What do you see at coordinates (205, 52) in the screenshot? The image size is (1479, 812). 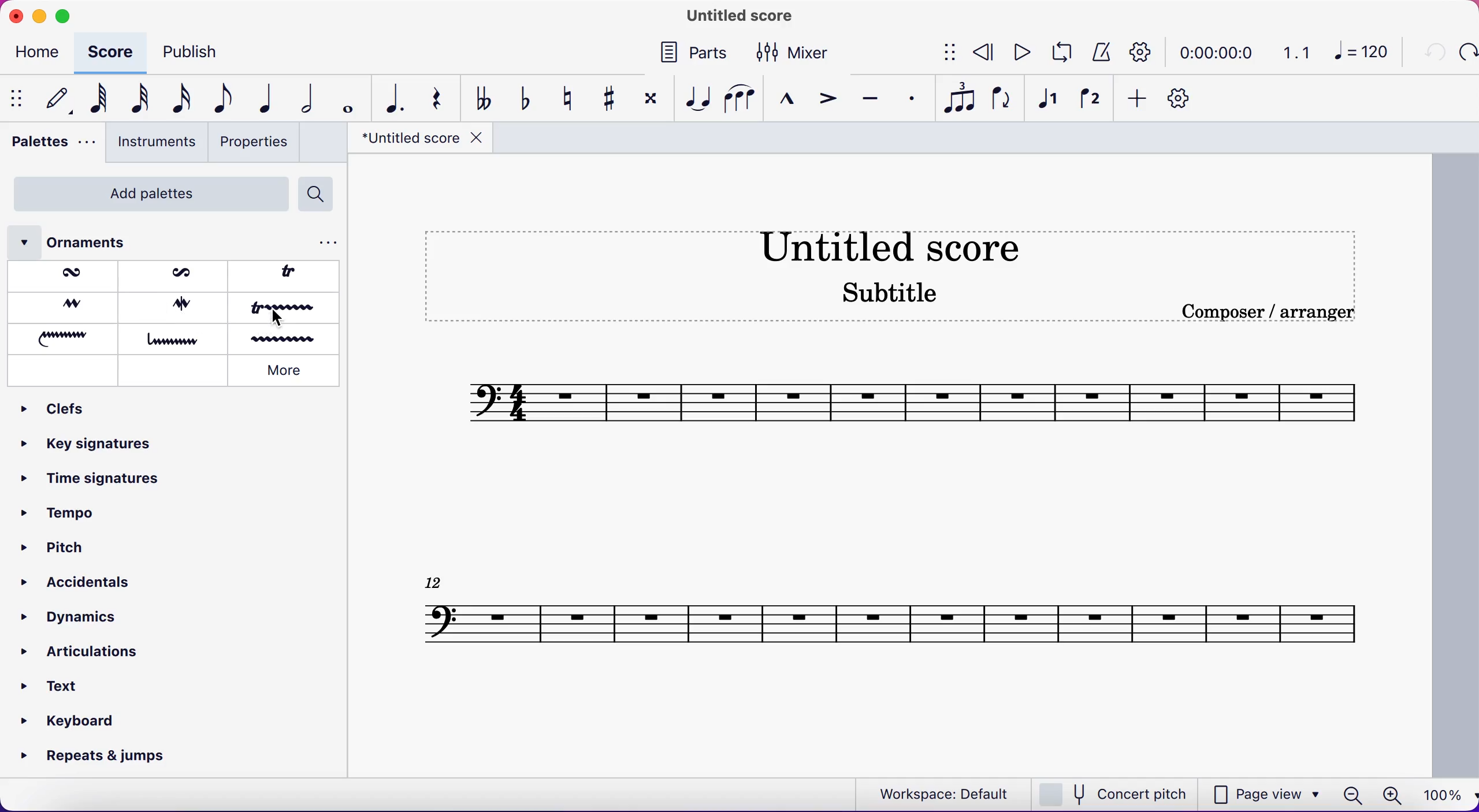 I see `publish` at bounding box center [205, 52].